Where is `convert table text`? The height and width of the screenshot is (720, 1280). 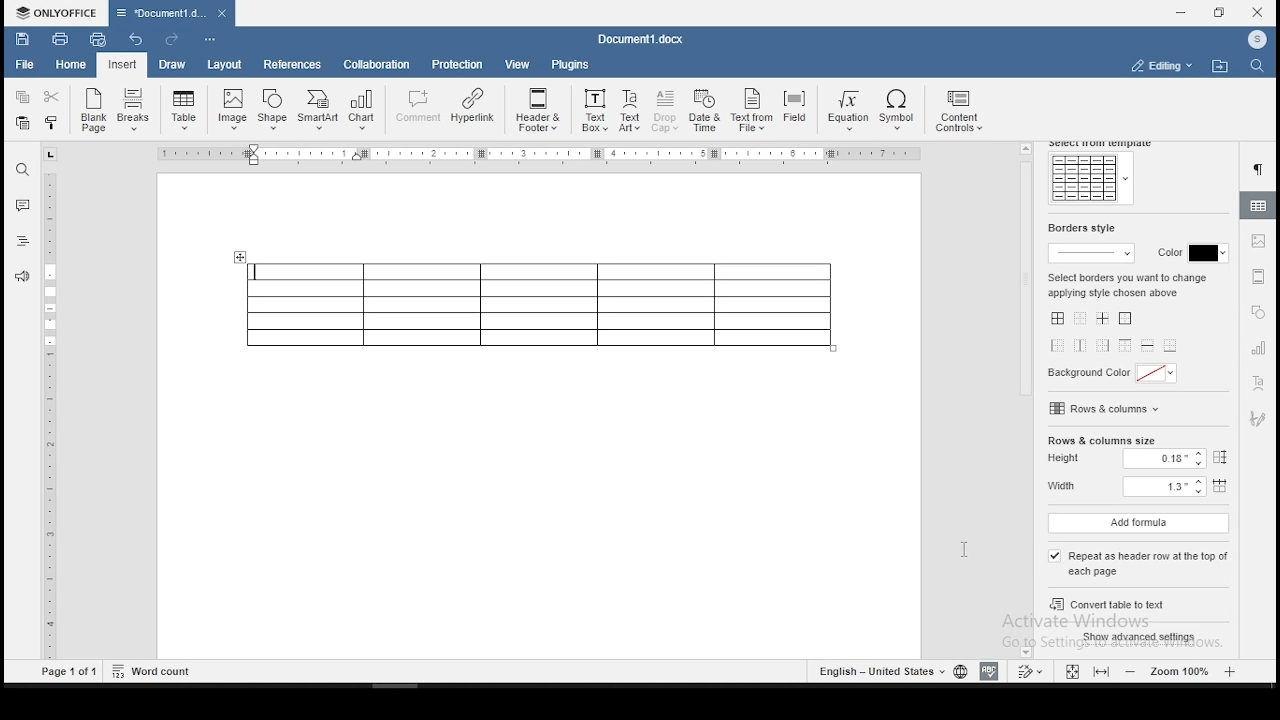 convert table text is located at coordinates (1141, 606).